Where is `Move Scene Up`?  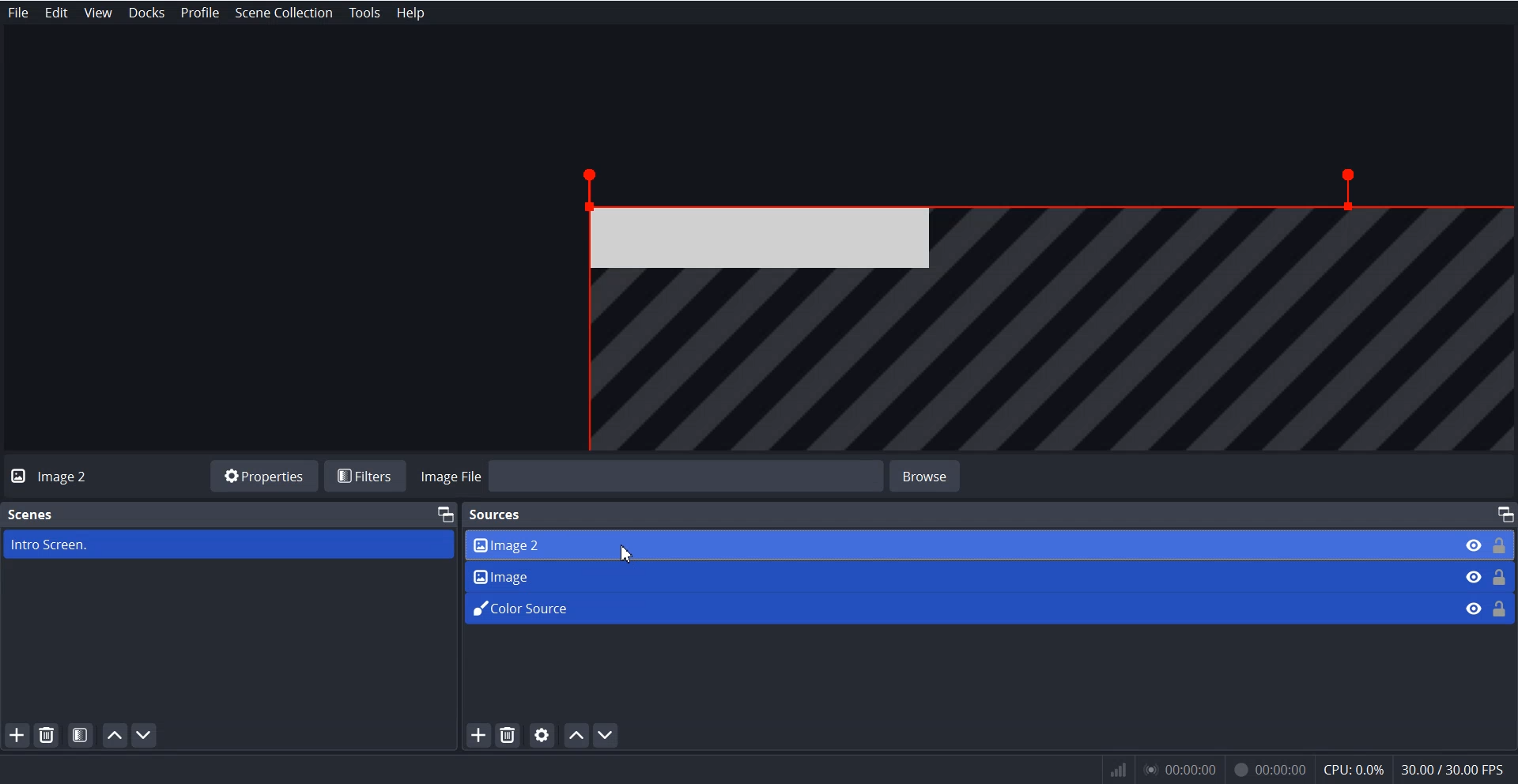
Move Scene Up is located at coordinates (115, 735).